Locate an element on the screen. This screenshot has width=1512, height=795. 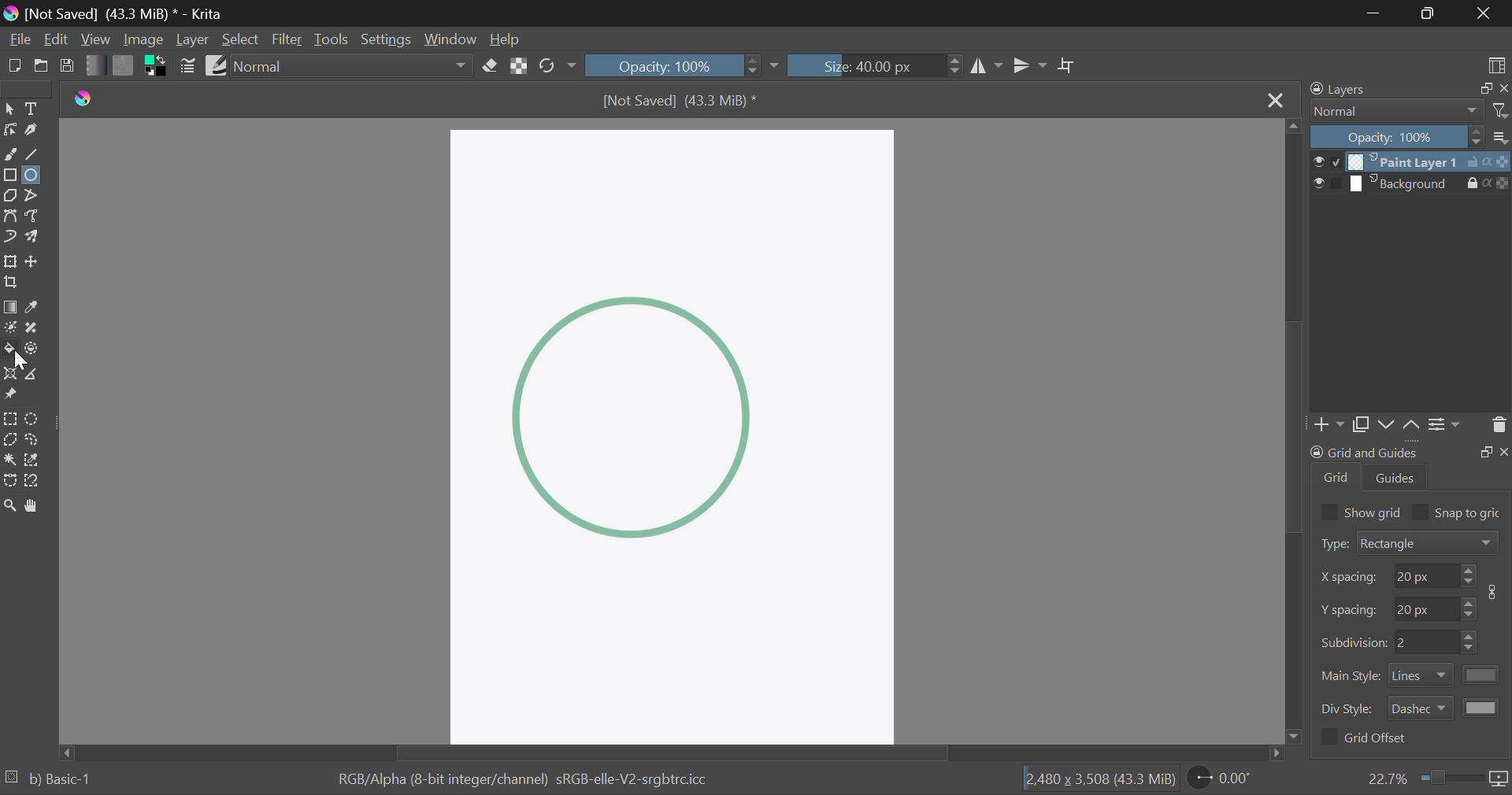
Dynamic Brush is located at coordinates (10, 238).